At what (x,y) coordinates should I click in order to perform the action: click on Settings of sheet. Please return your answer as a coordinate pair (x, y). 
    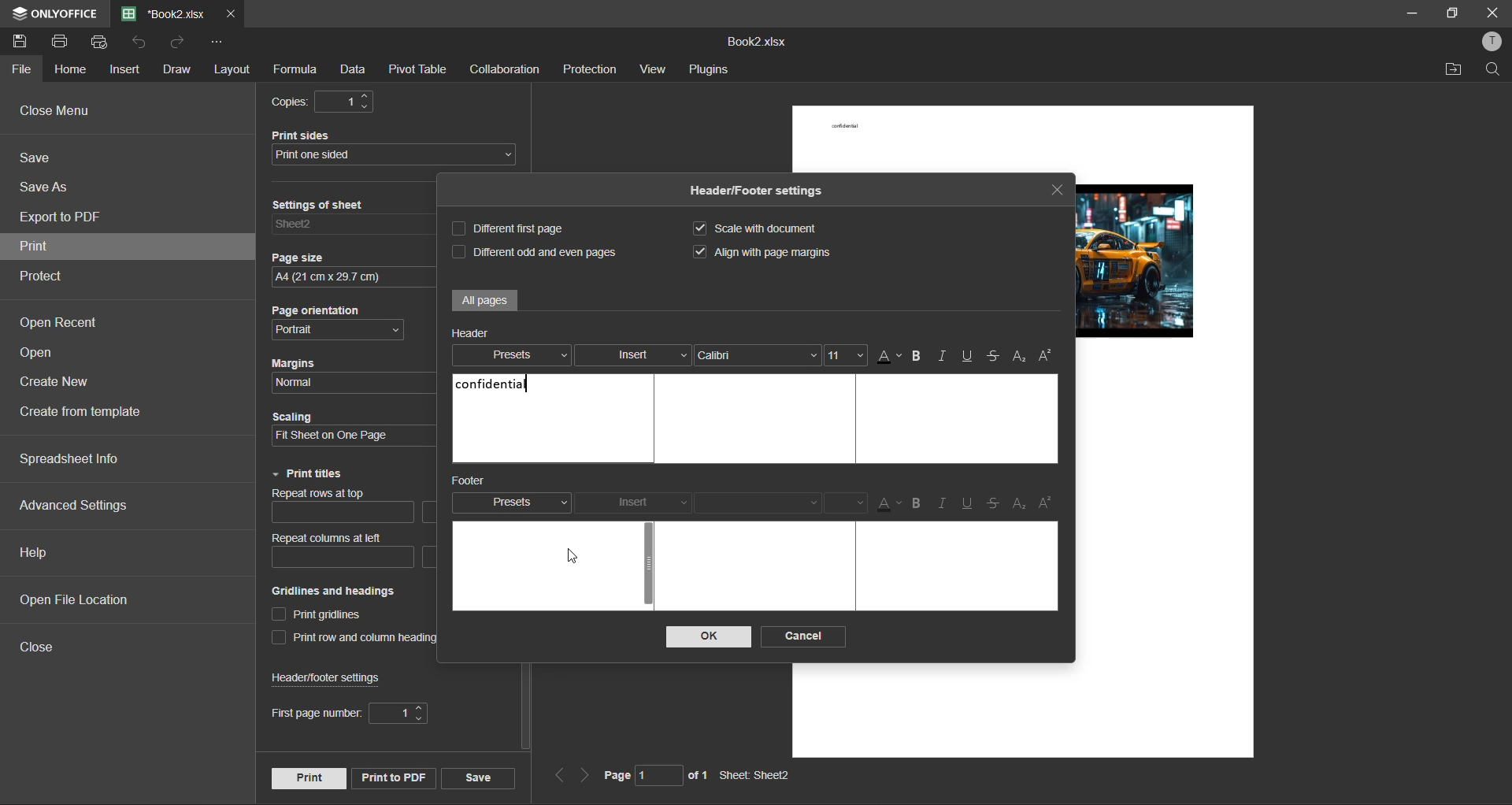
    Looking at the image, I should click on (323, 203).